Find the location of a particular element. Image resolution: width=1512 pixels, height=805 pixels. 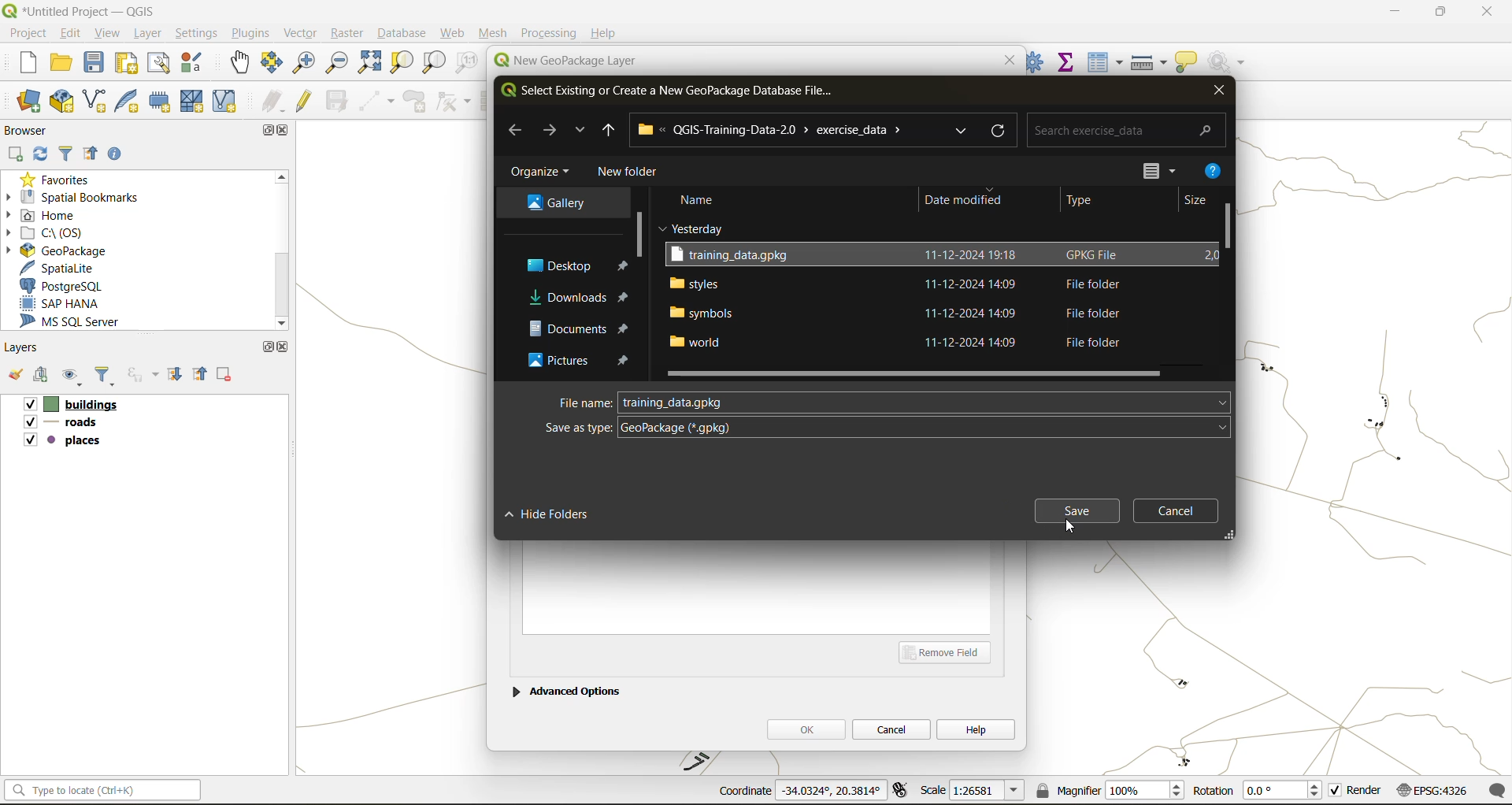

magnifier(100%) is located at coordinates (1106, 790).